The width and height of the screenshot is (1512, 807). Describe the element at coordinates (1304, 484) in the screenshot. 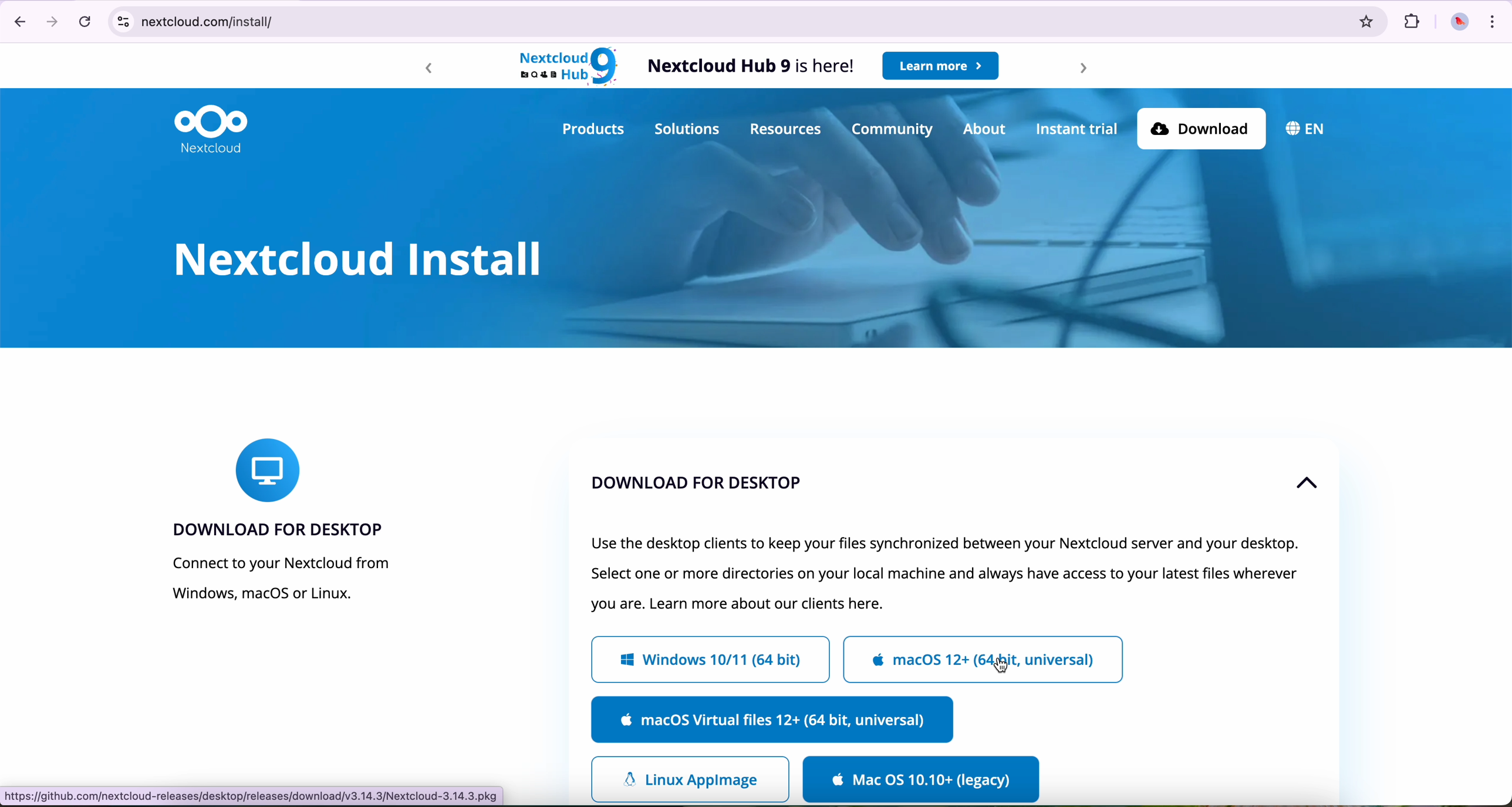

I see `up arrow` at that location.